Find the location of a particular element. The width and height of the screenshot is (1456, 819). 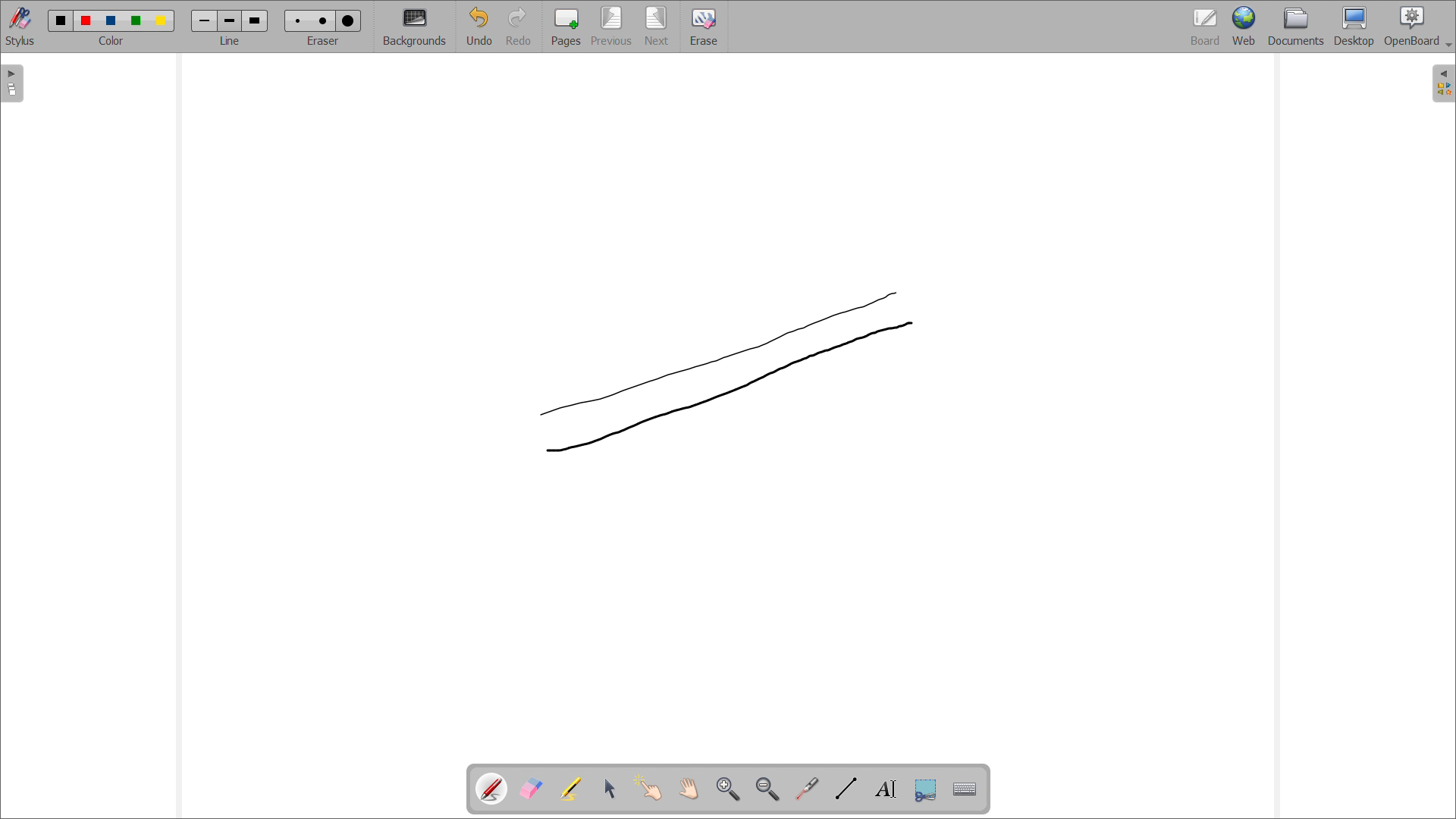

interact with items is located at coordinates (650, 788).